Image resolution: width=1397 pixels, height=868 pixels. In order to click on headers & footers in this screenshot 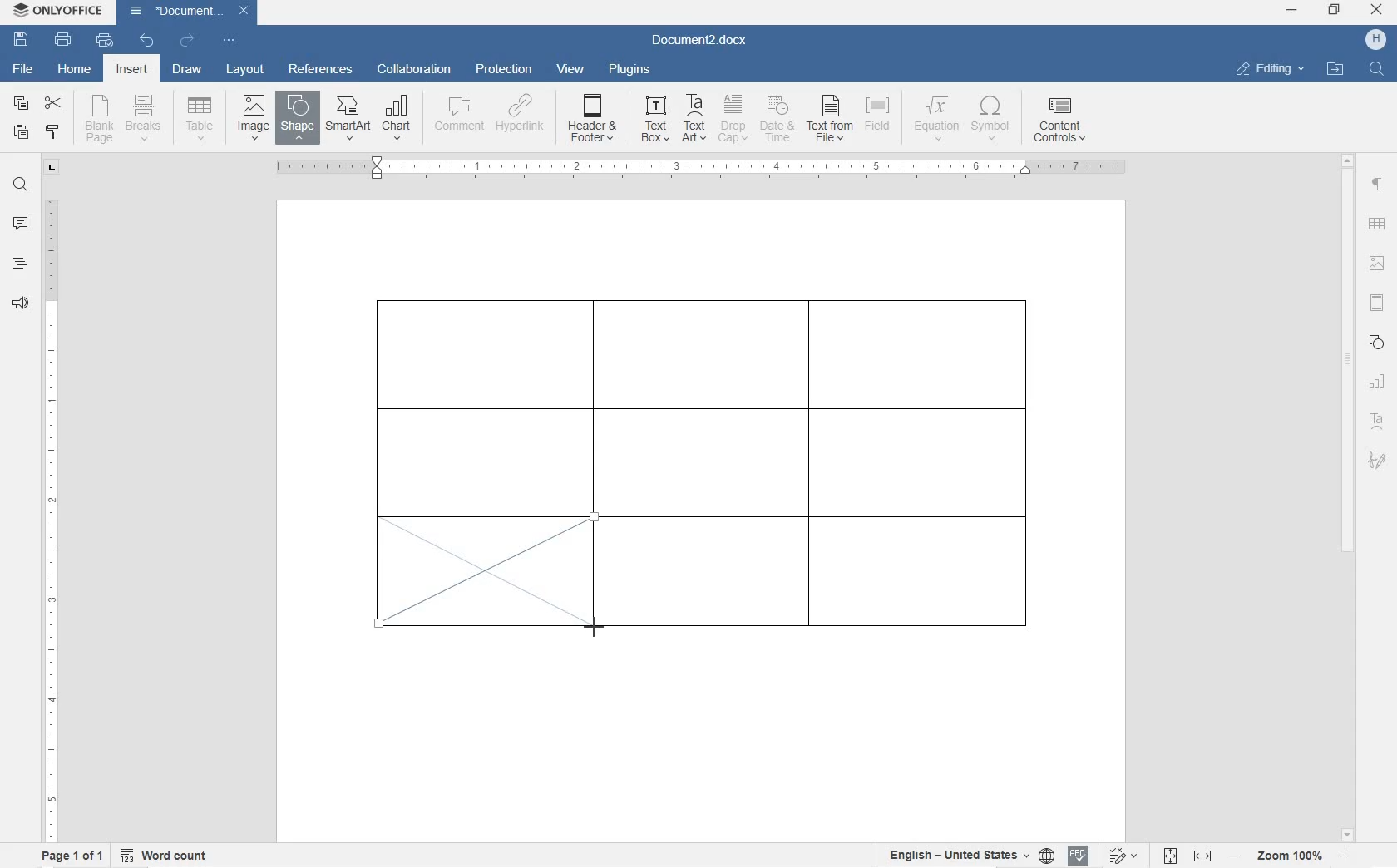, I will do `click(1378, 304)`.